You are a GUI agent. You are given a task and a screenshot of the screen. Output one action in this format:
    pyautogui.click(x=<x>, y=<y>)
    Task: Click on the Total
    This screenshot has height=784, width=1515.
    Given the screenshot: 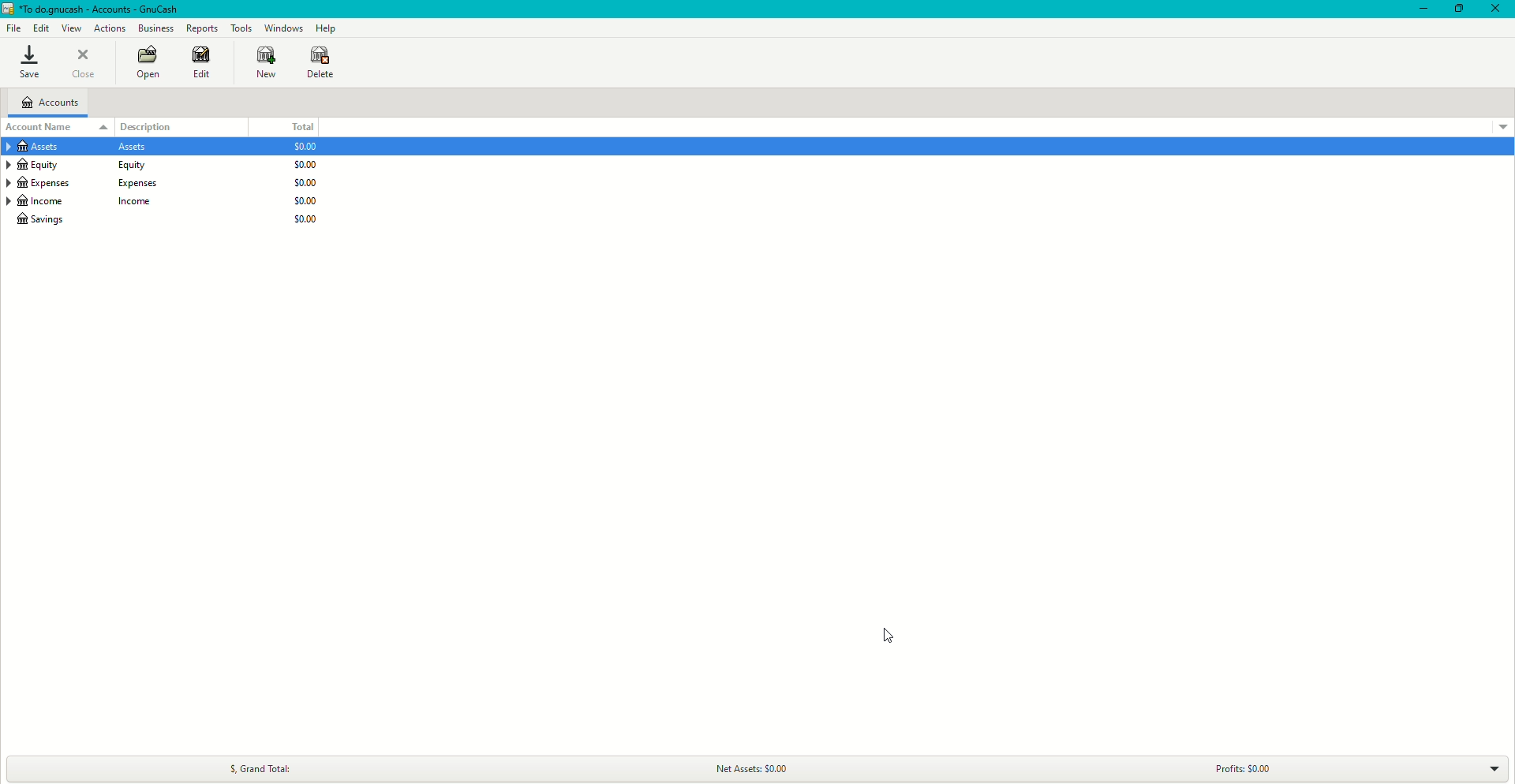 What is the action you would take?
    pyautogui.click(x=301, y=127)
    